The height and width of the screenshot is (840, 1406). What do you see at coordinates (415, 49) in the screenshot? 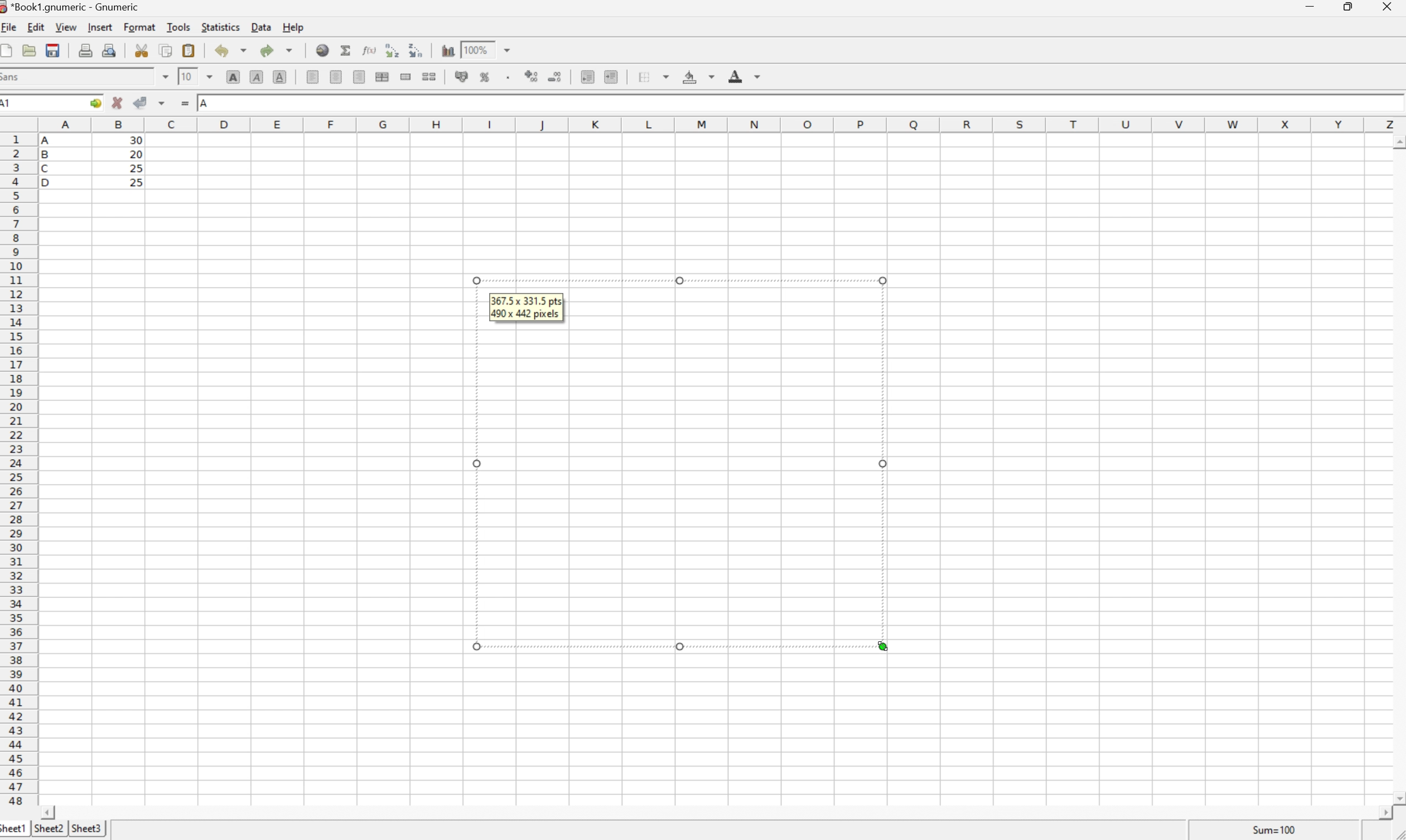
I see `Sort the selected region in descending order based on the first column selected` at bounding box center [415, 49].